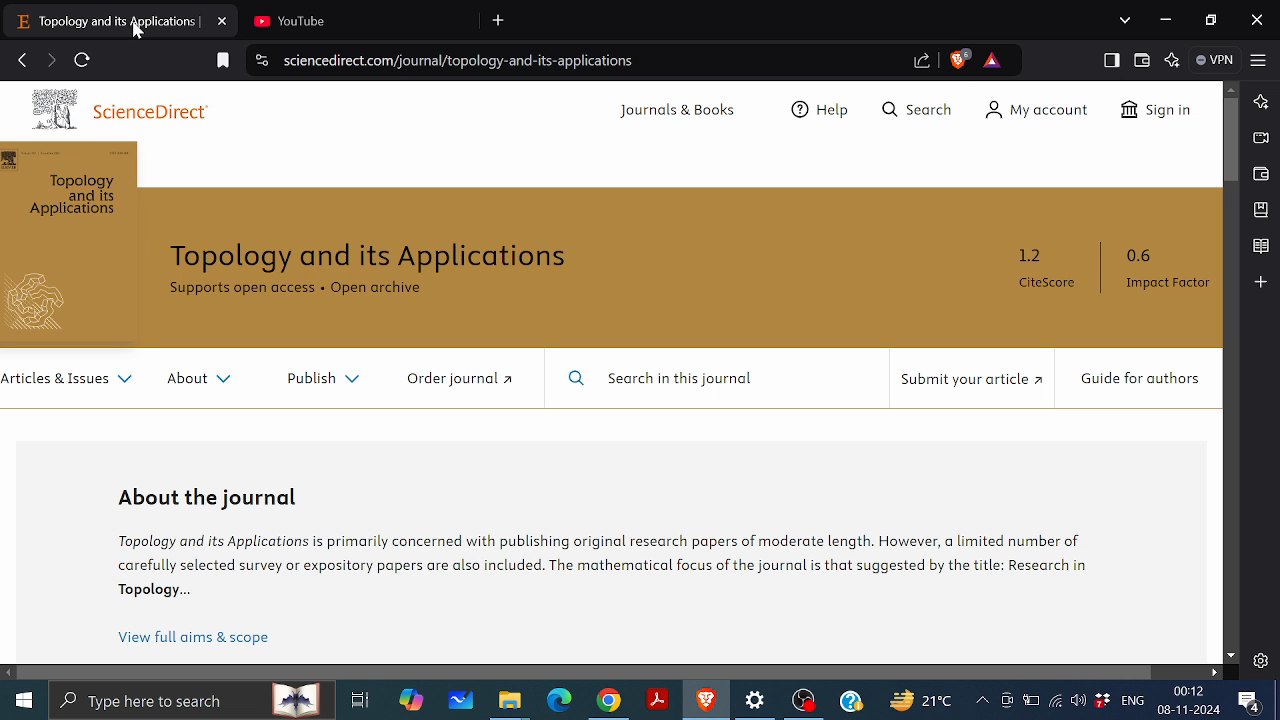 This screenshot has height=720, width=1280. Describe the element at coordinates (1127, 20) in the screenshot. I see `Search tabs` at that location.